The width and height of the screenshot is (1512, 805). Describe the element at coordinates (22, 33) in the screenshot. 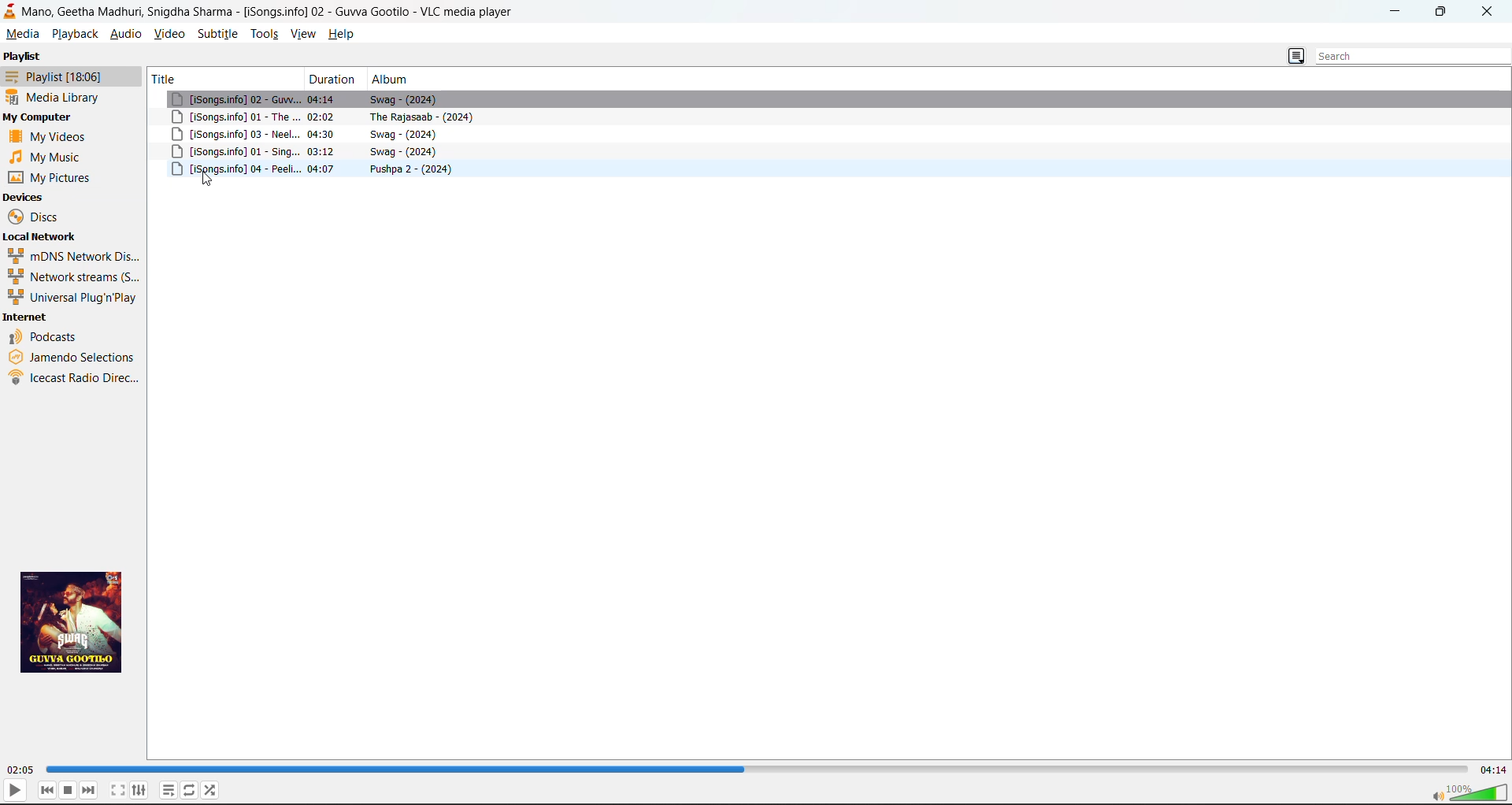

I see `media` at that location.